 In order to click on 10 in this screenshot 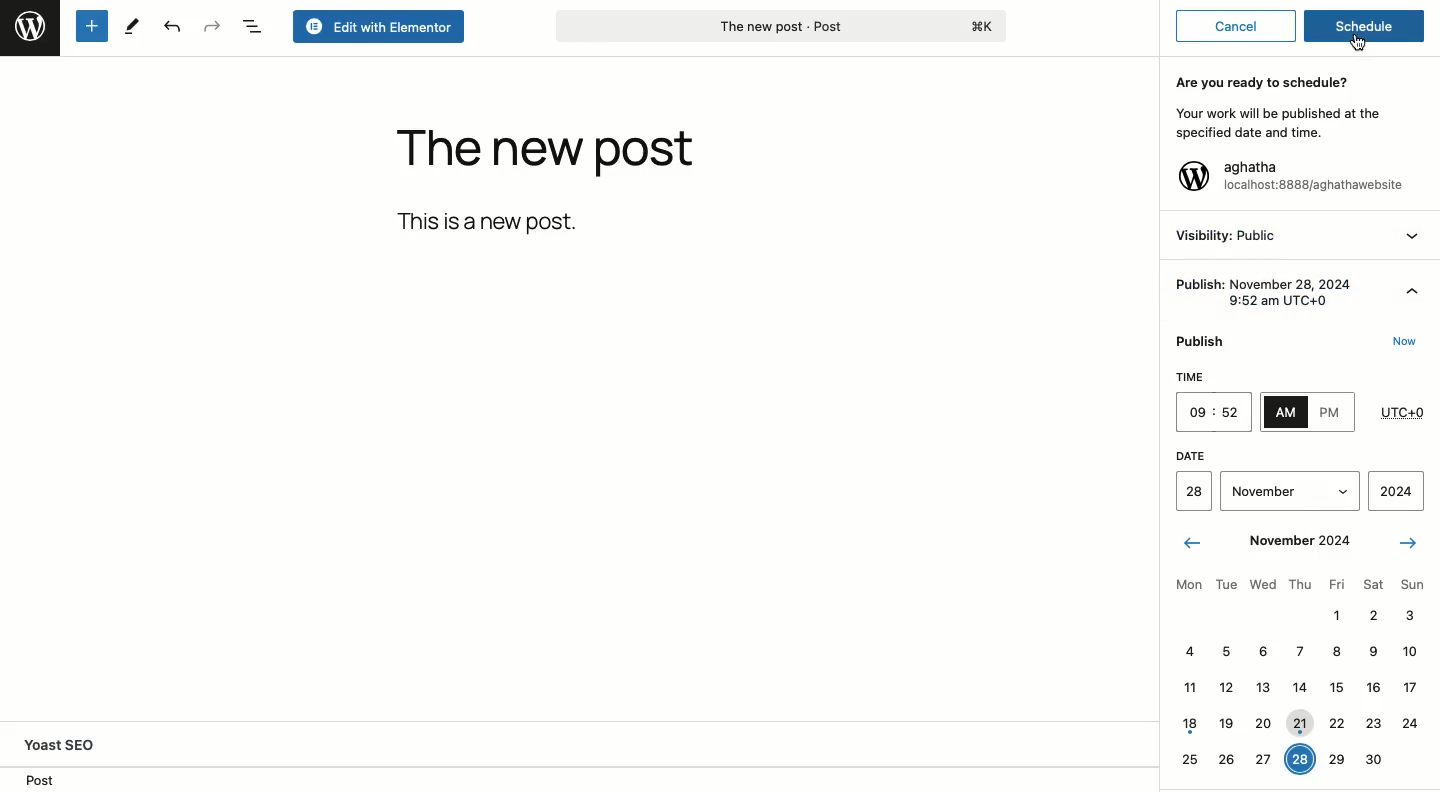, I will do `click(1409, 648)`.